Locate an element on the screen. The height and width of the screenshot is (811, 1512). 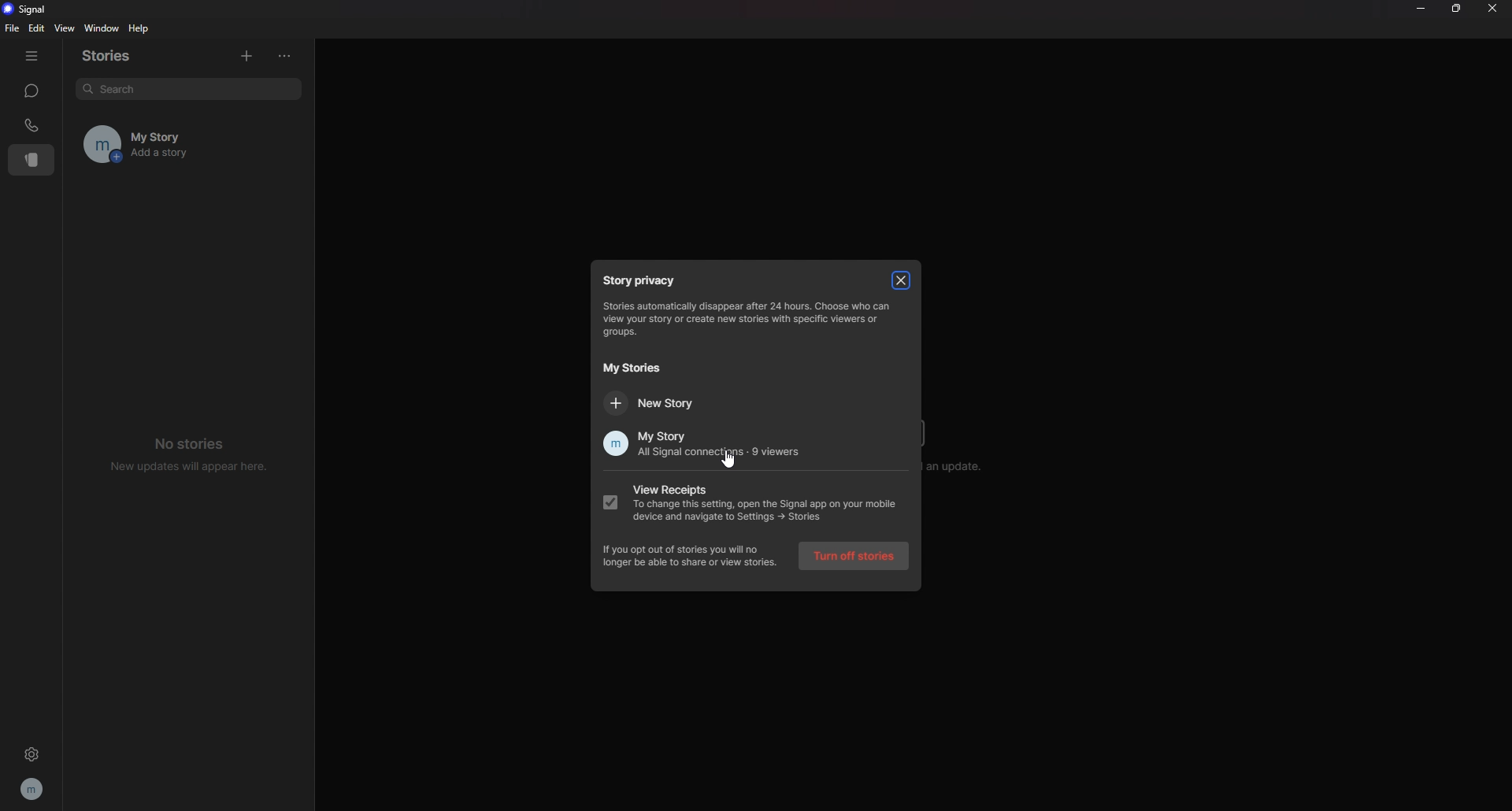
close is located at coordinates (902, 280).